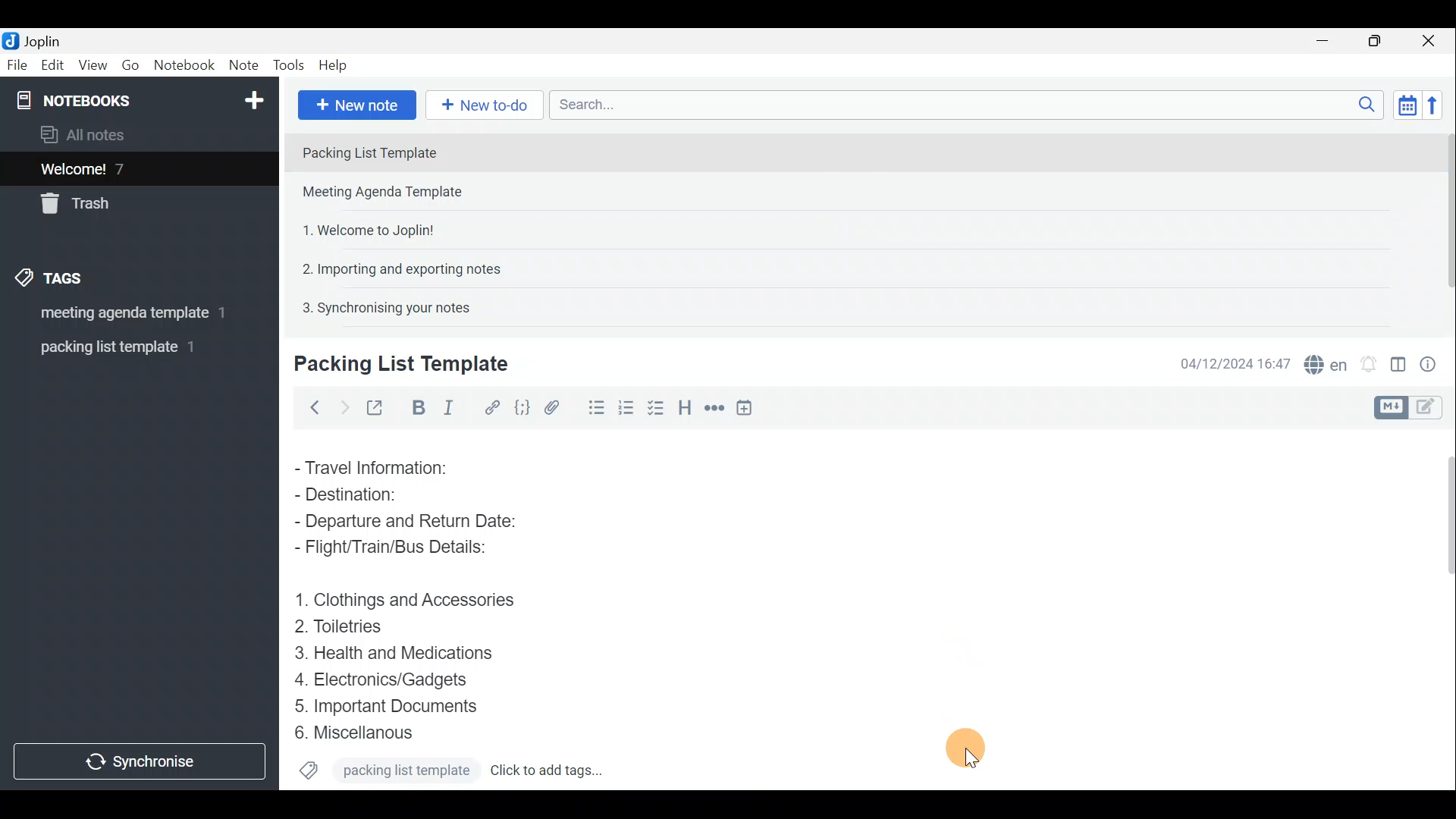  What do you see at coordinates (1402, 105) in the screenshot?
I see `Toggle sort order field` at bounding box center [1402, 105].